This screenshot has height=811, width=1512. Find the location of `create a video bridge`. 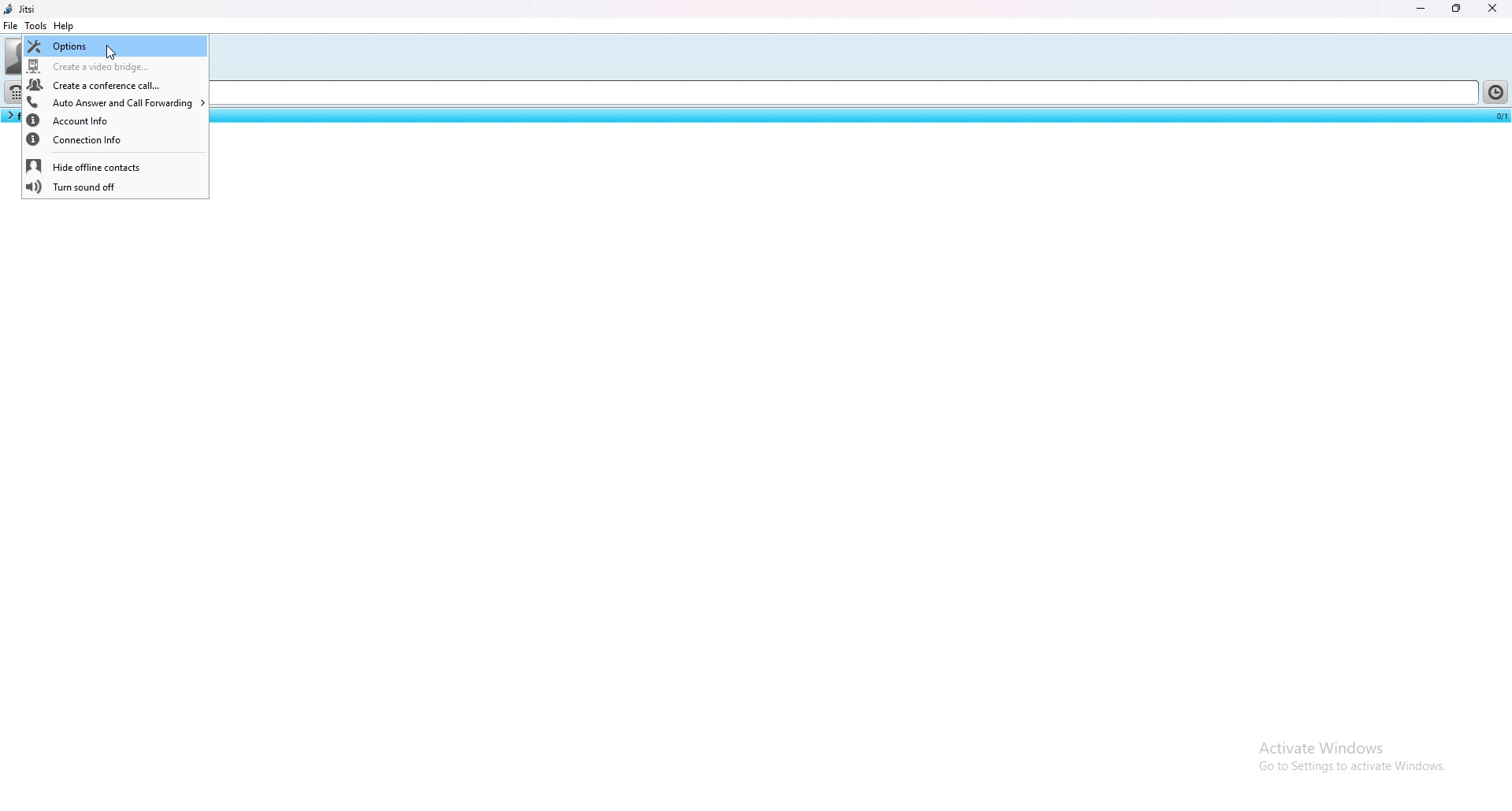

create a video bridge is located at coordinates (113, 67).